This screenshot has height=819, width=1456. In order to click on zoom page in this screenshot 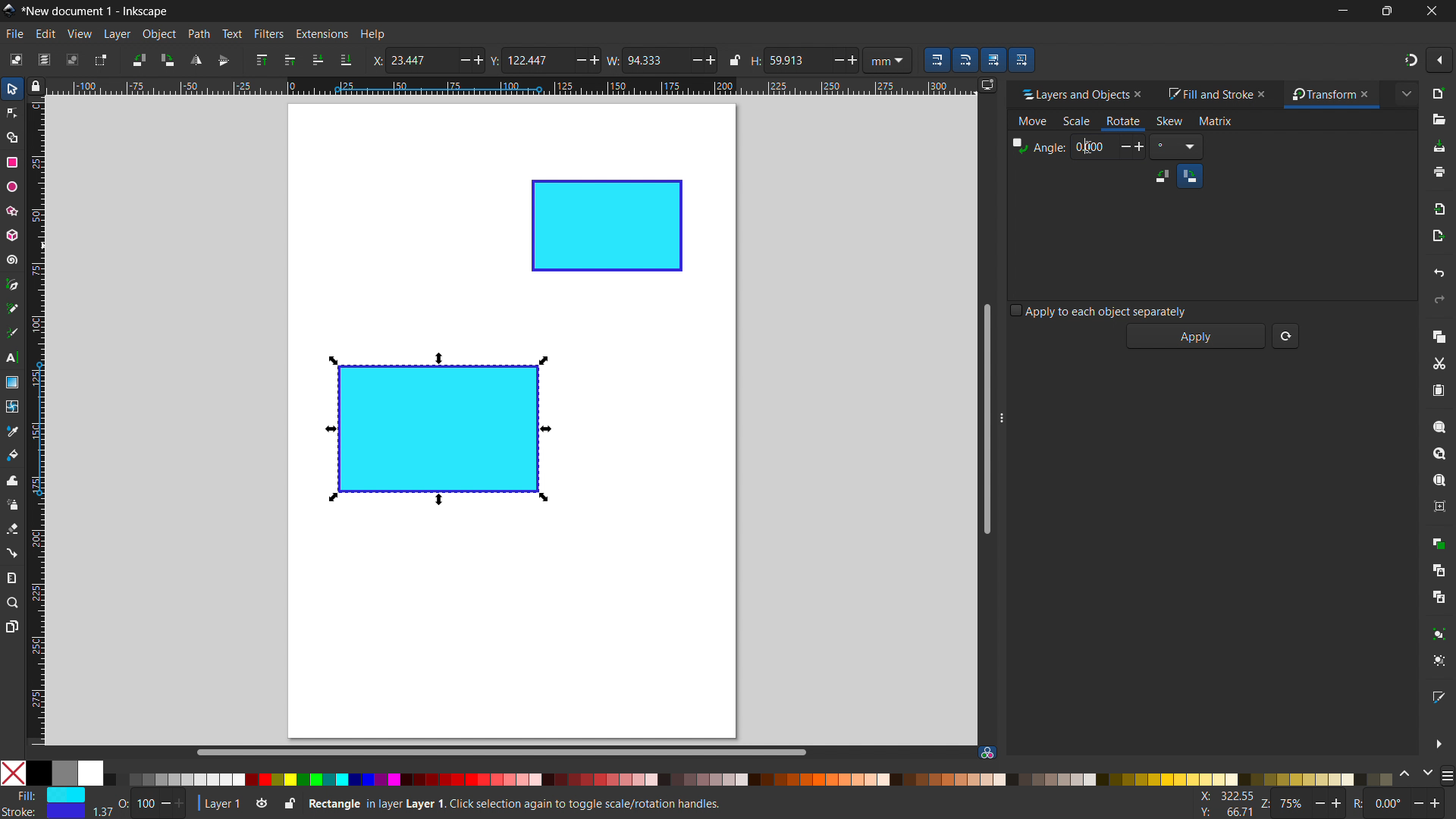, I will do `click(1439, 481)`.